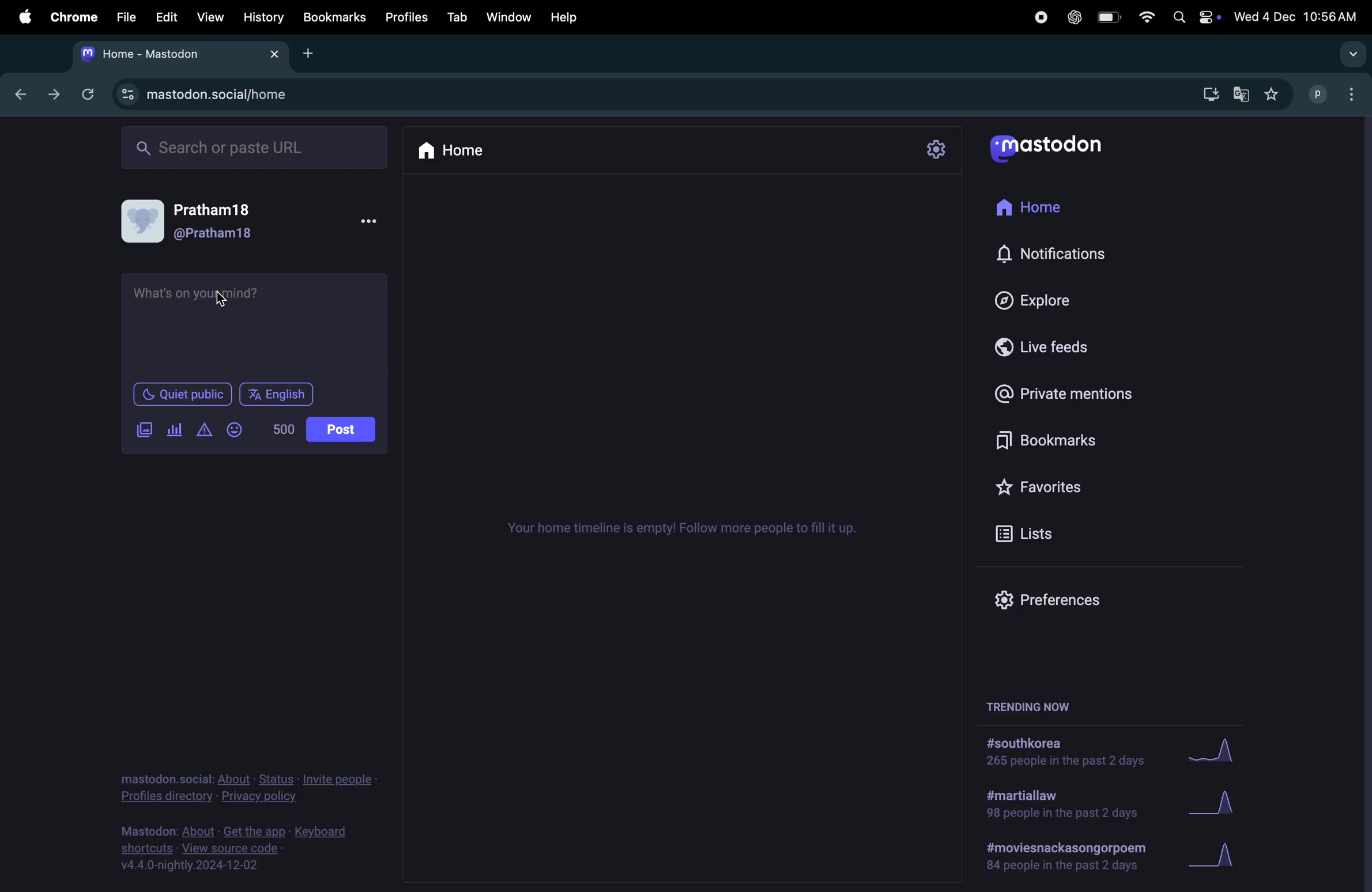 This screenshot has width=1372, height=892. I want to click on polls, so click(174, 432).